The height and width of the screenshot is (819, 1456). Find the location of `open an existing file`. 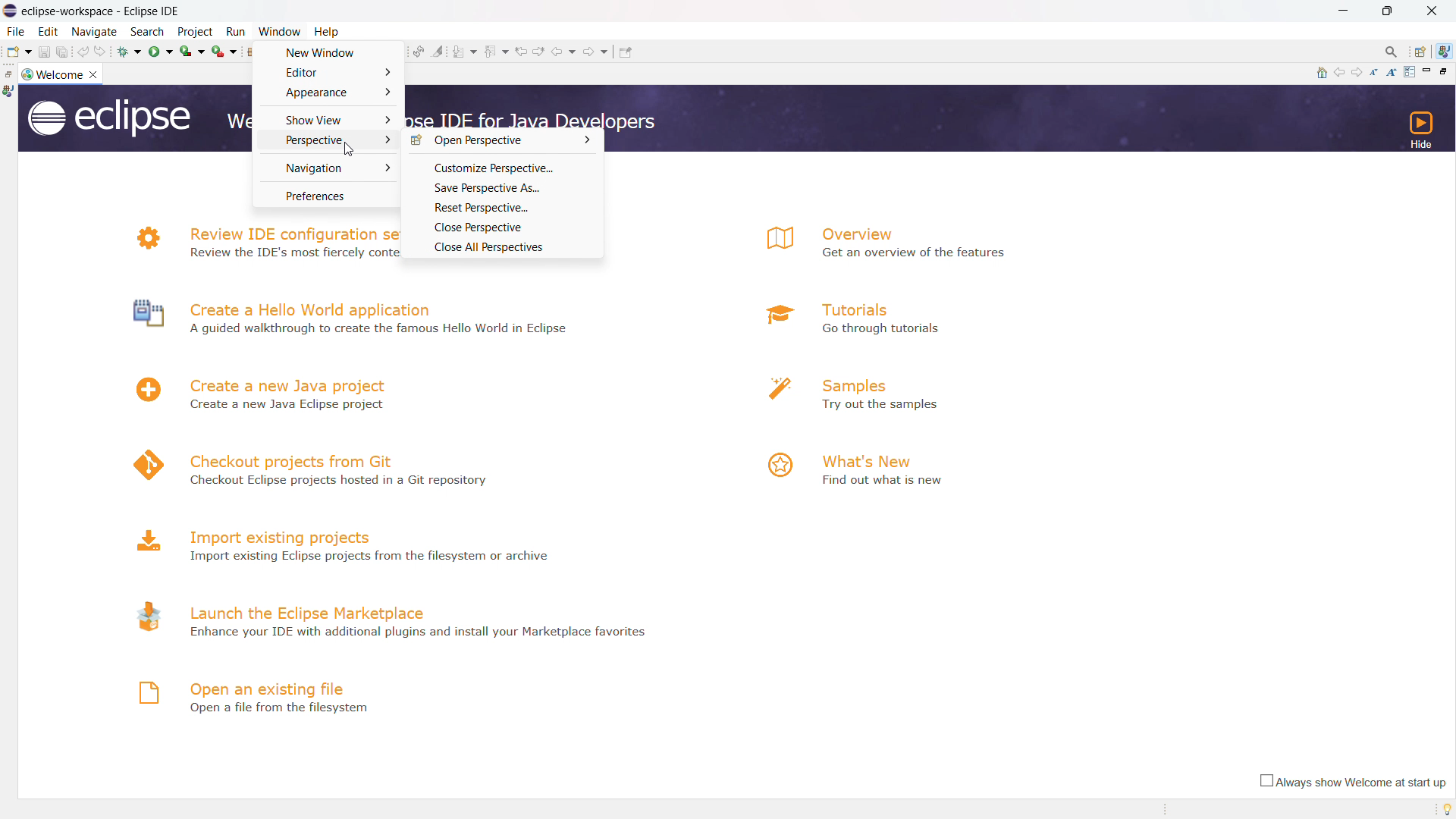

open an existing file is located at coordinates (268, 688).